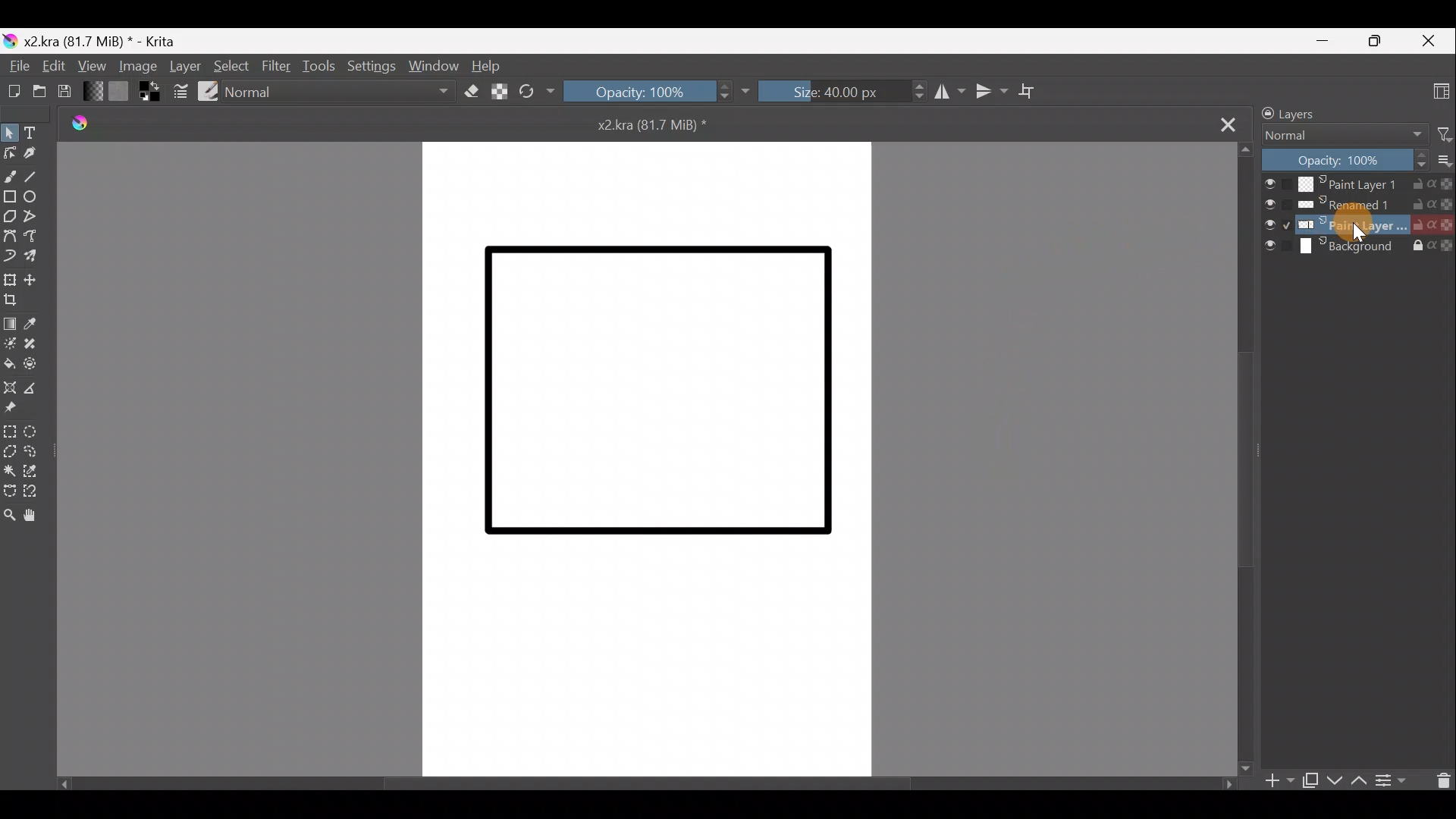 Image resolution: width=1456 pixels, height=819 pixels. I want to click on Layers, so click(1314, 114).